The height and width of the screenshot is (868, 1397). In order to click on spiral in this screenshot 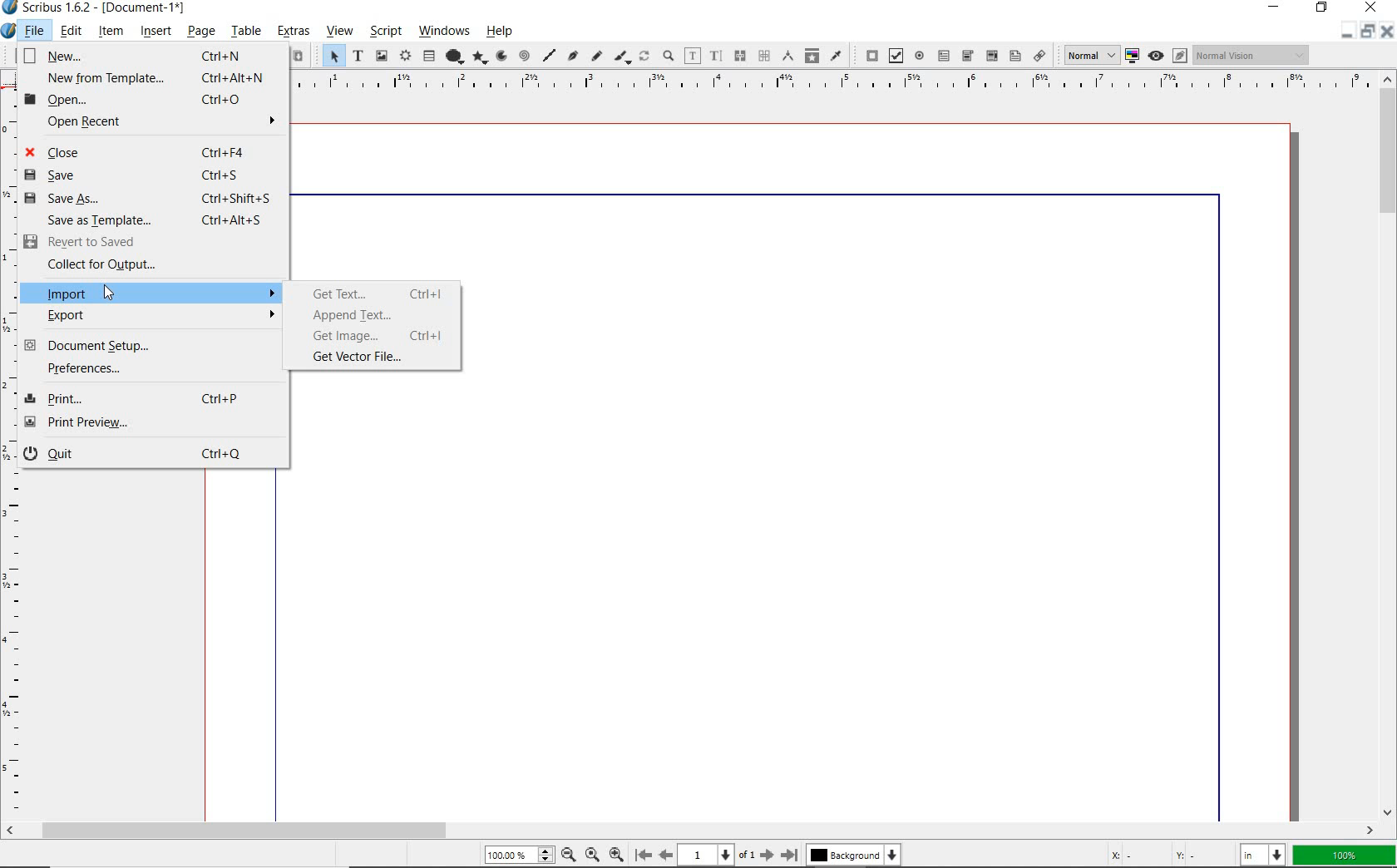, I will do `click(526, 56)`.